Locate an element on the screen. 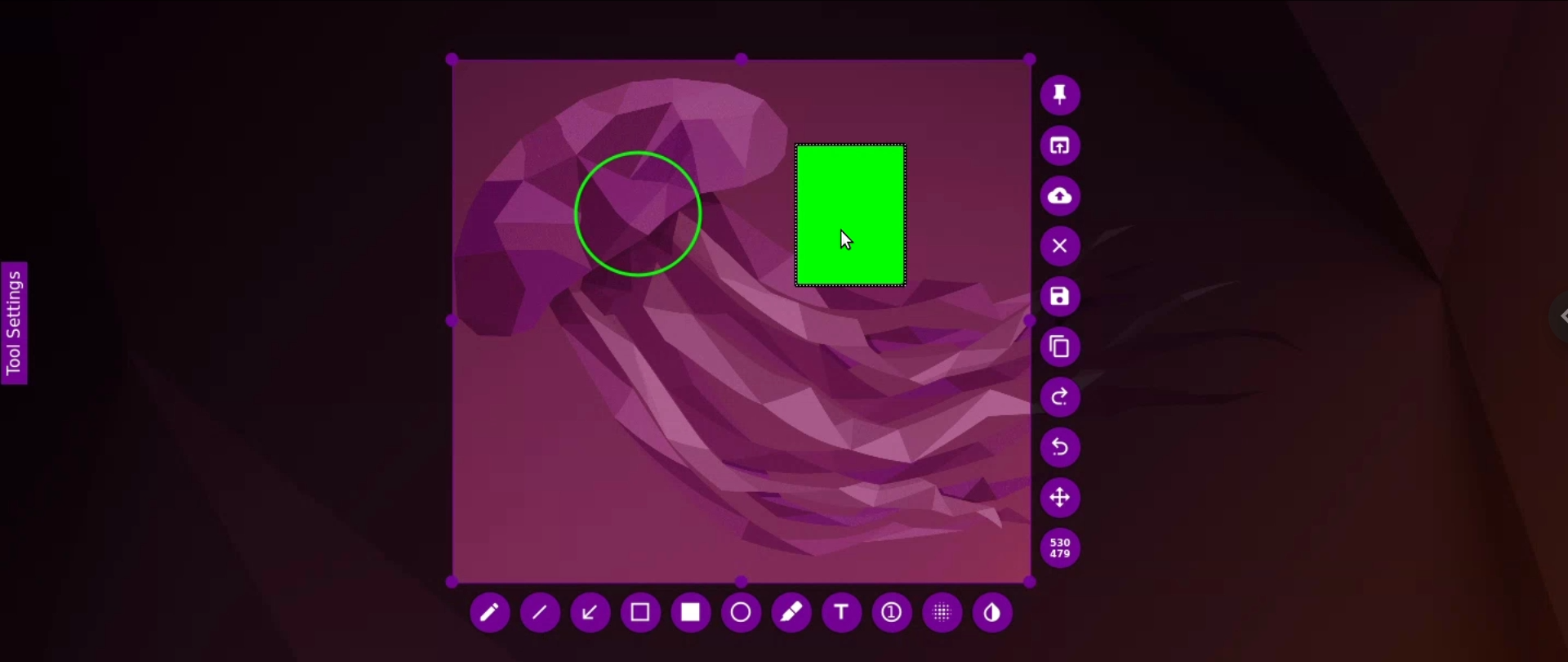  dimensions is located at coordinates (1063, 548).